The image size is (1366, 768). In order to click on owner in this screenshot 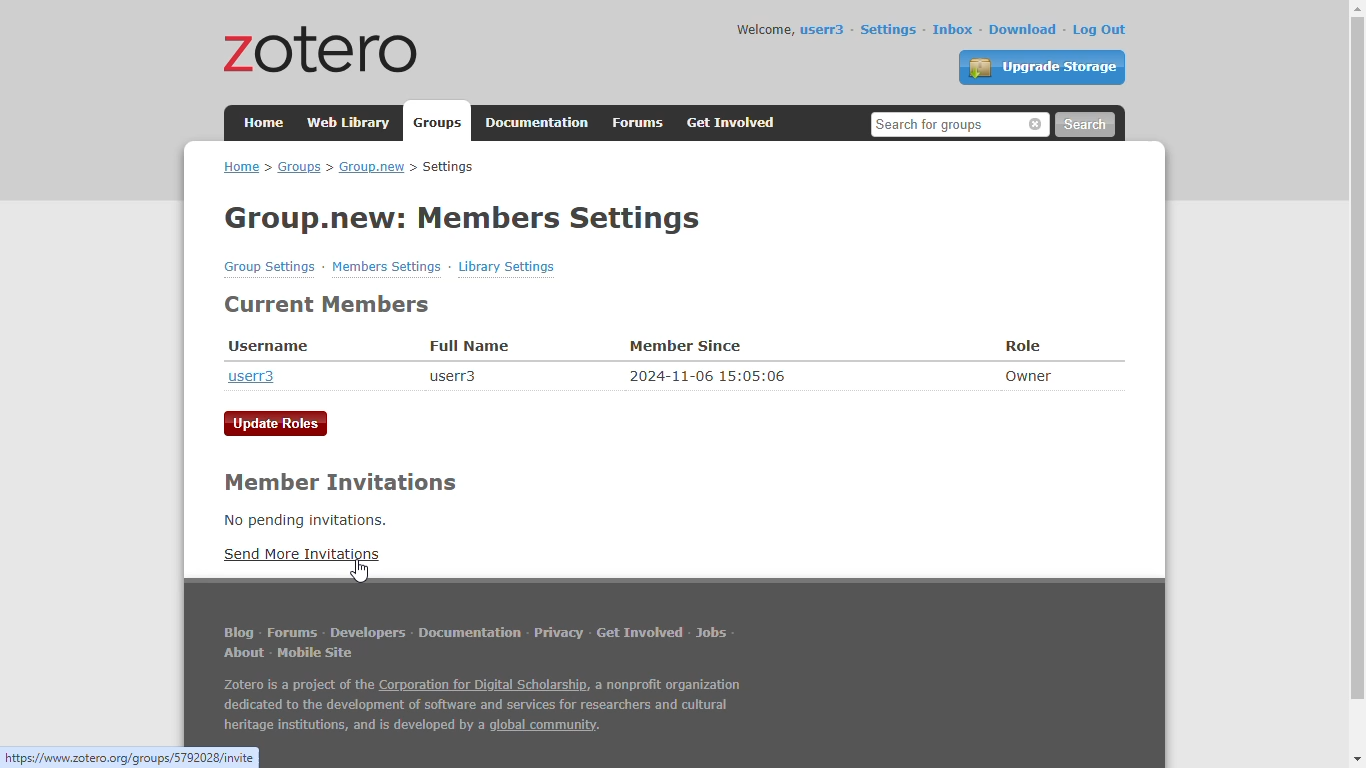, I will do `click(1029, 375)`.